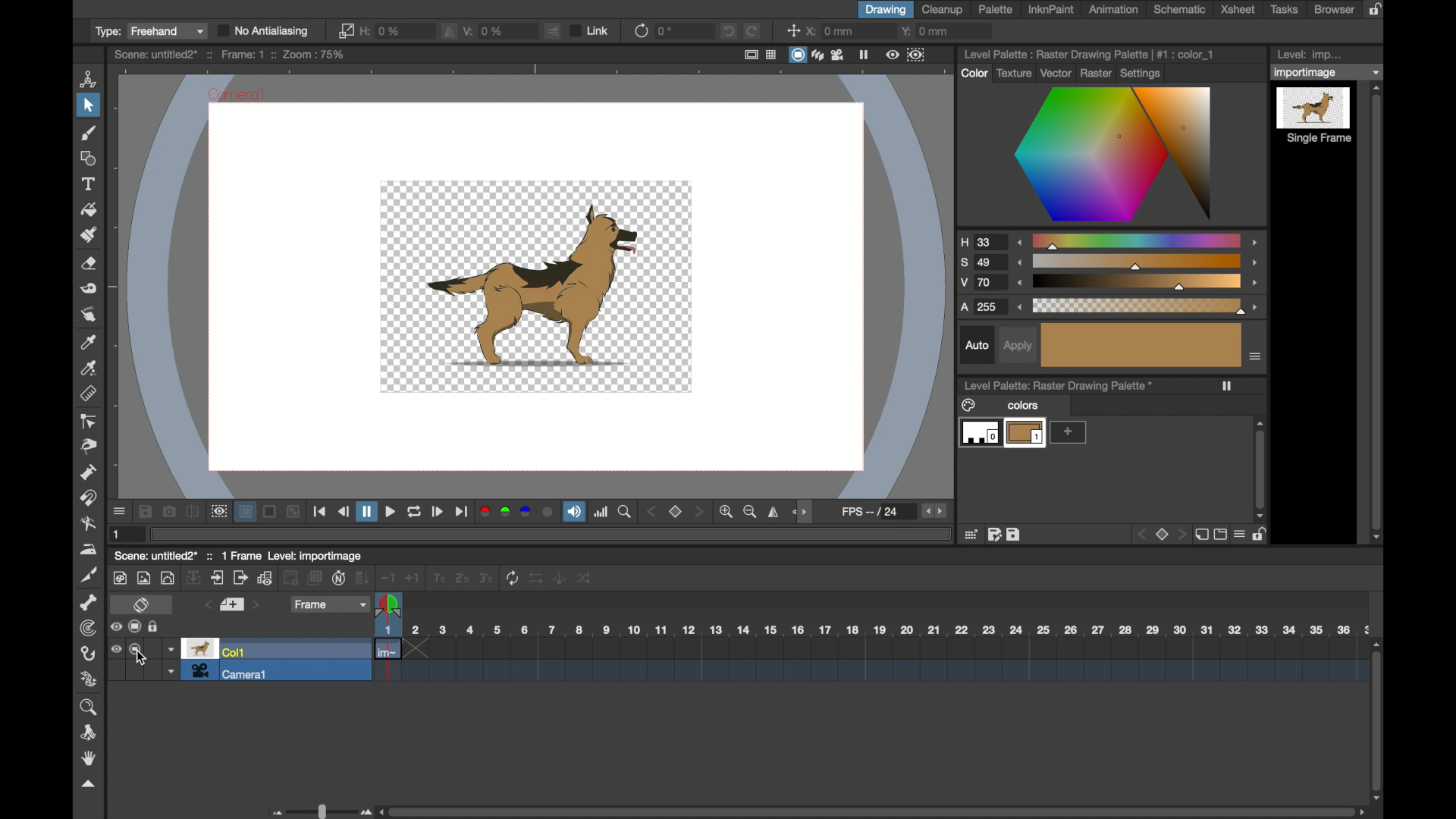  I want to click on screens, so click(315, 579).